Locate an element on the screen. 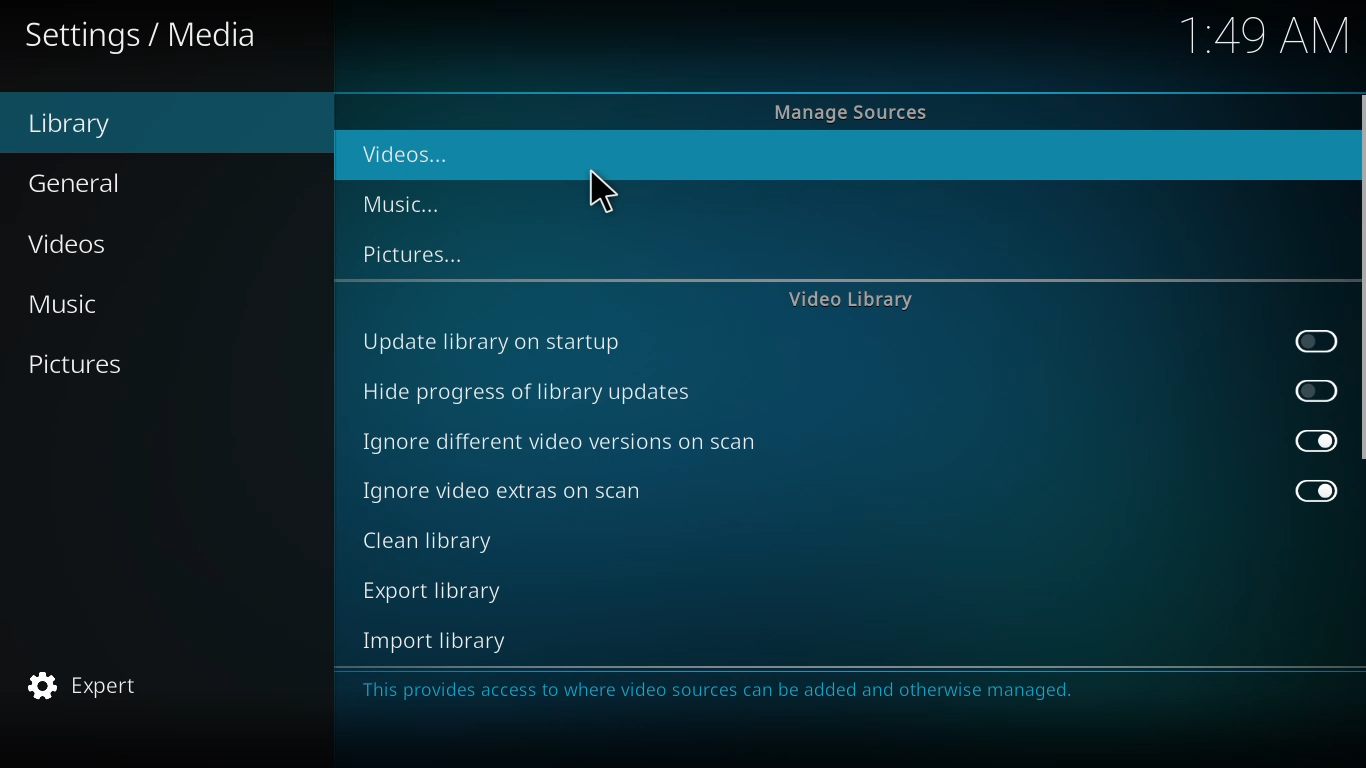  cursor is located at coordinates (600, 194).